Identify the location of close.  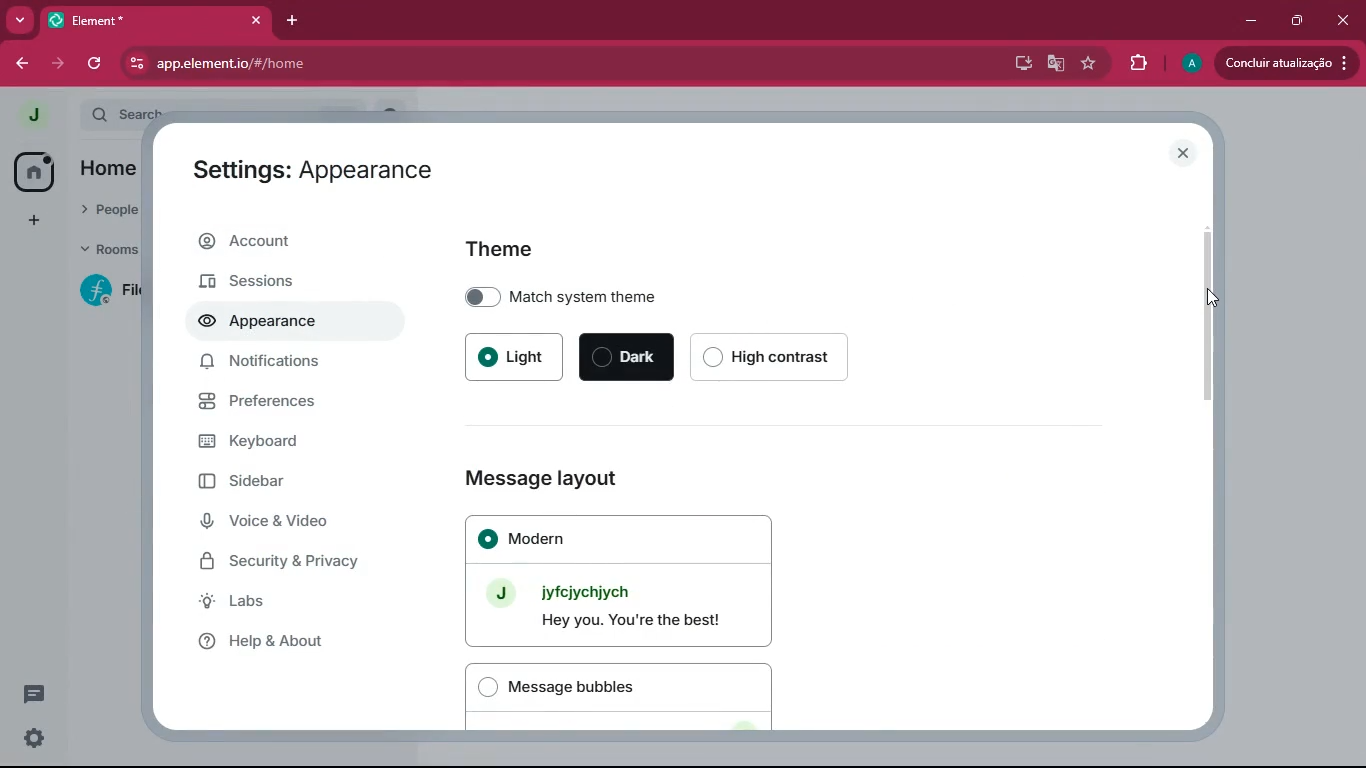
(1186, 154).